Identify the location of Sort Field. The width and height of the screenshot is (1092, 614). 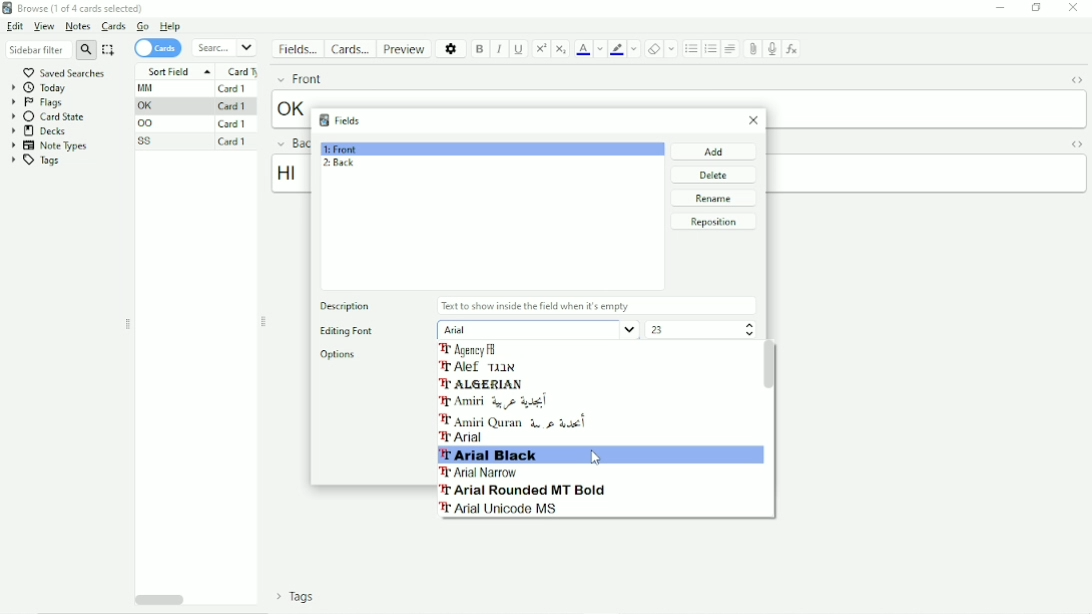
(175, 70).